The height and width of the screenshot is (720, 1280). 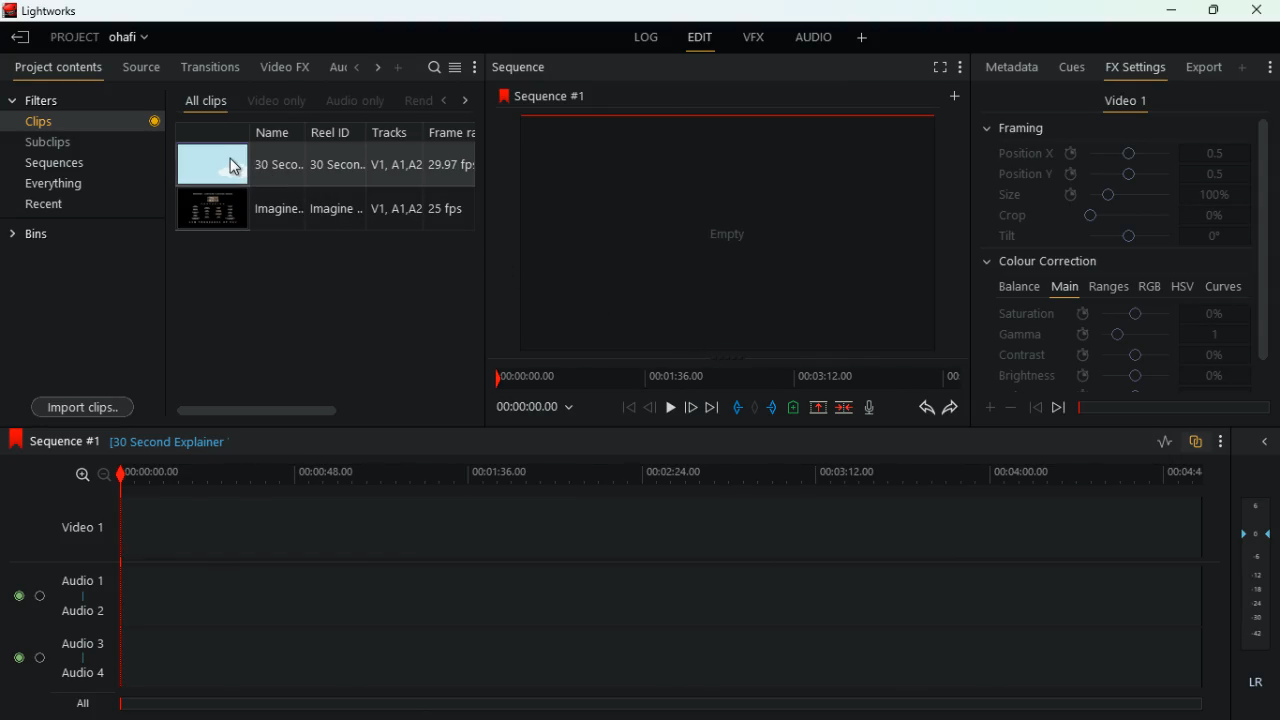 What do you see at coordinates (866, 39) in the screenshot?
I see `more` at bounding box center [866, 39].